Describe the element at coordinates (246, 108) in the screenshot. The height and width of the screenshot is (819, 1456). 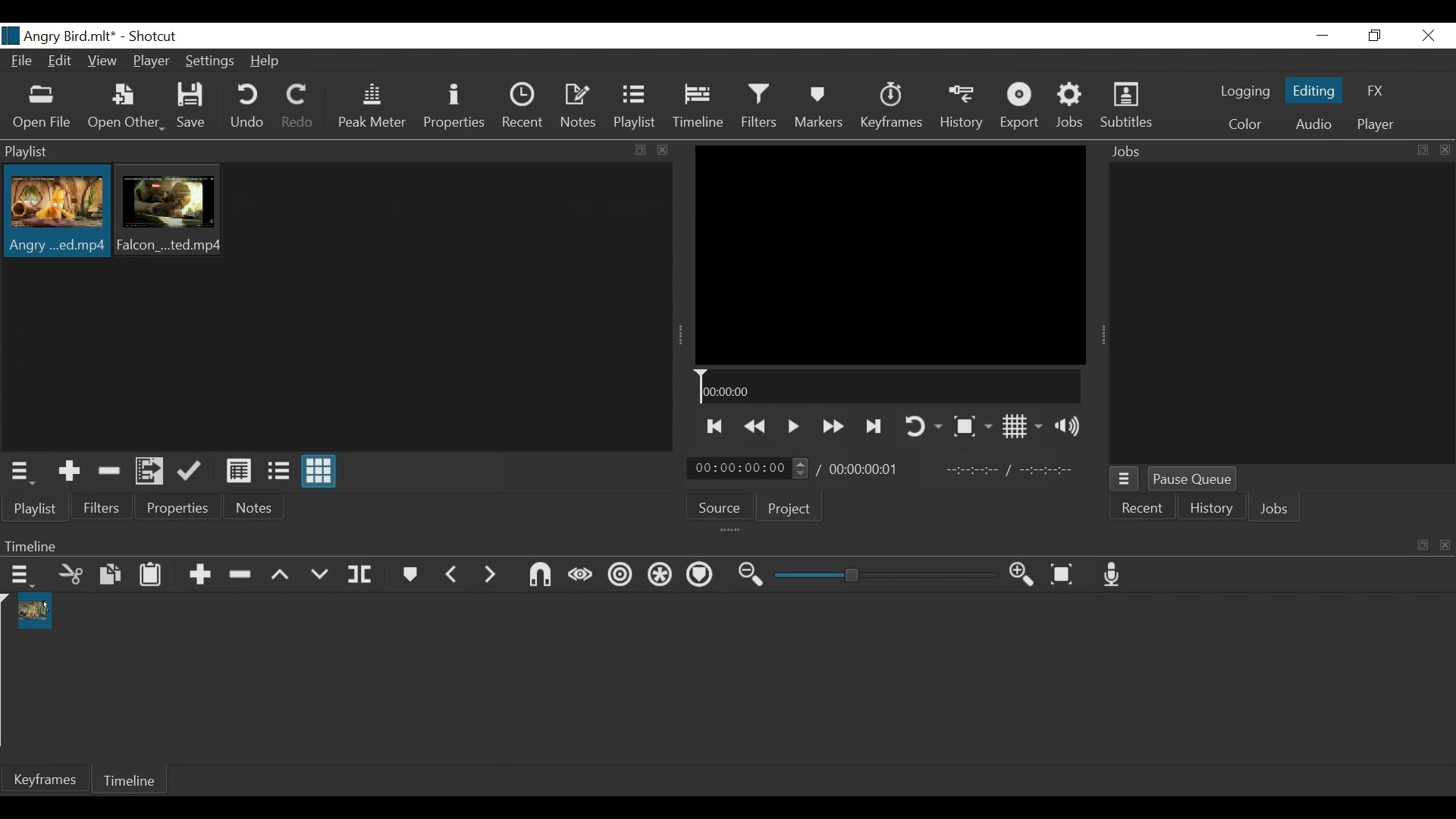
I see `Undo` at that location.